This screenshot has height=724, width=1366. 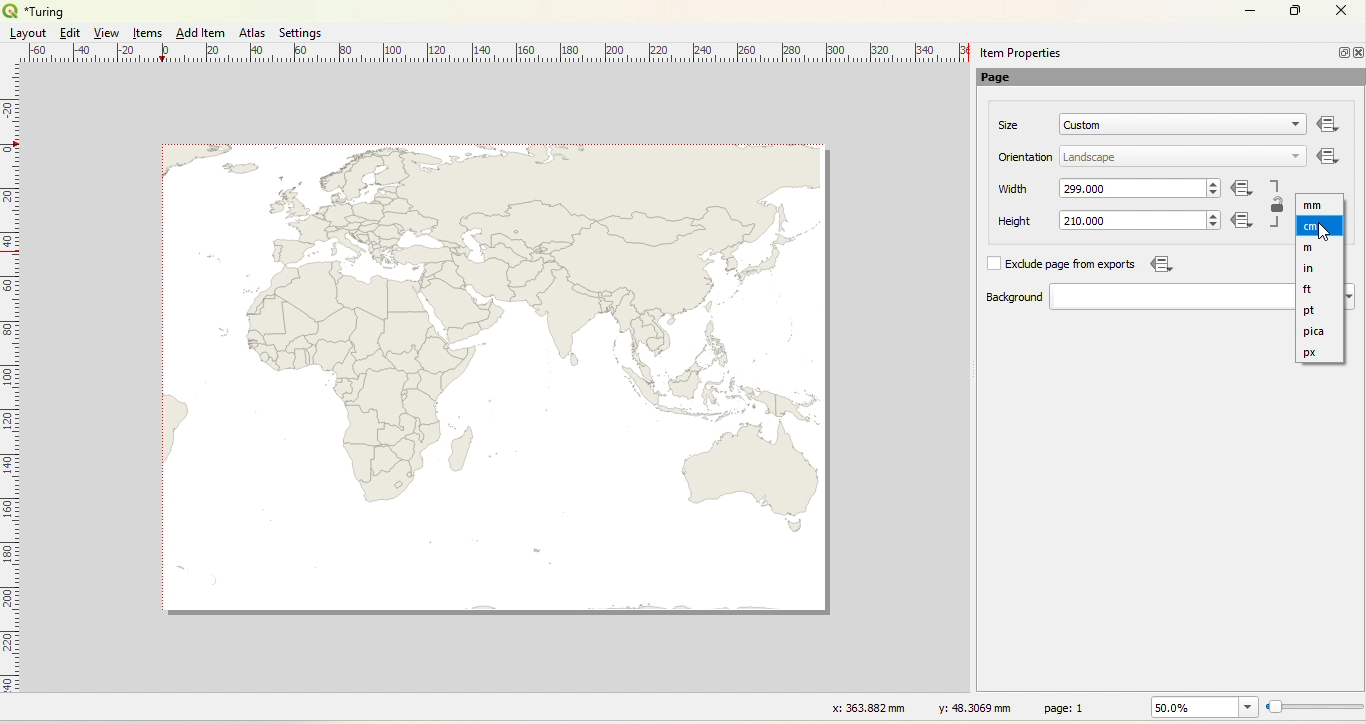 I want to click on exclude page from exports, so click(x=1074, y=265).